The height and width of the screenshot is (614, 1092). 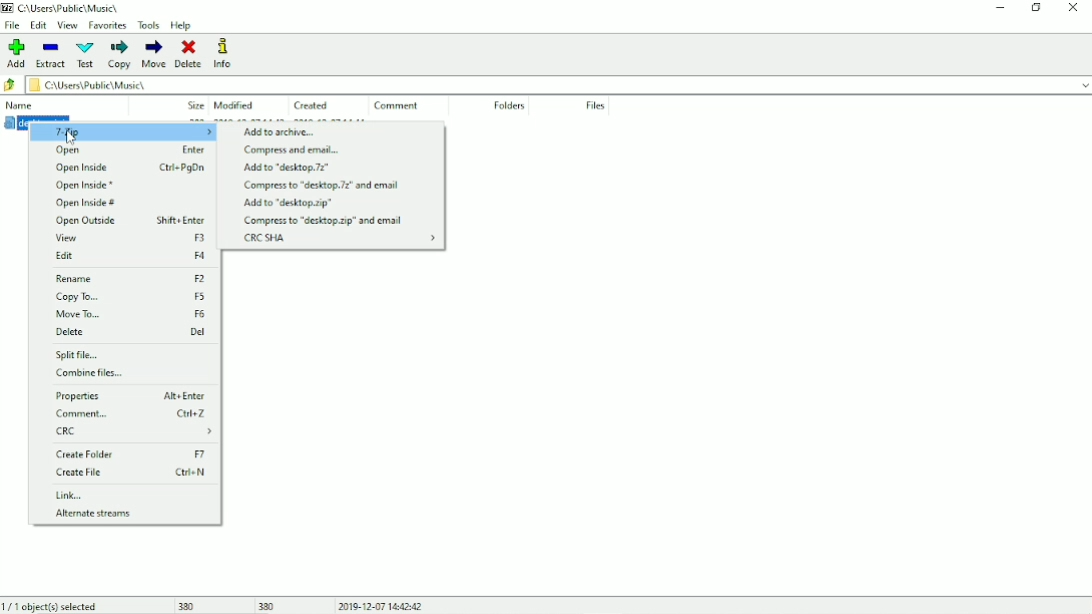 What do you see at coordinates (290, 167) in the screenshot?
I see `Add to "desktop.7z"` at bounding box center [290, 167].